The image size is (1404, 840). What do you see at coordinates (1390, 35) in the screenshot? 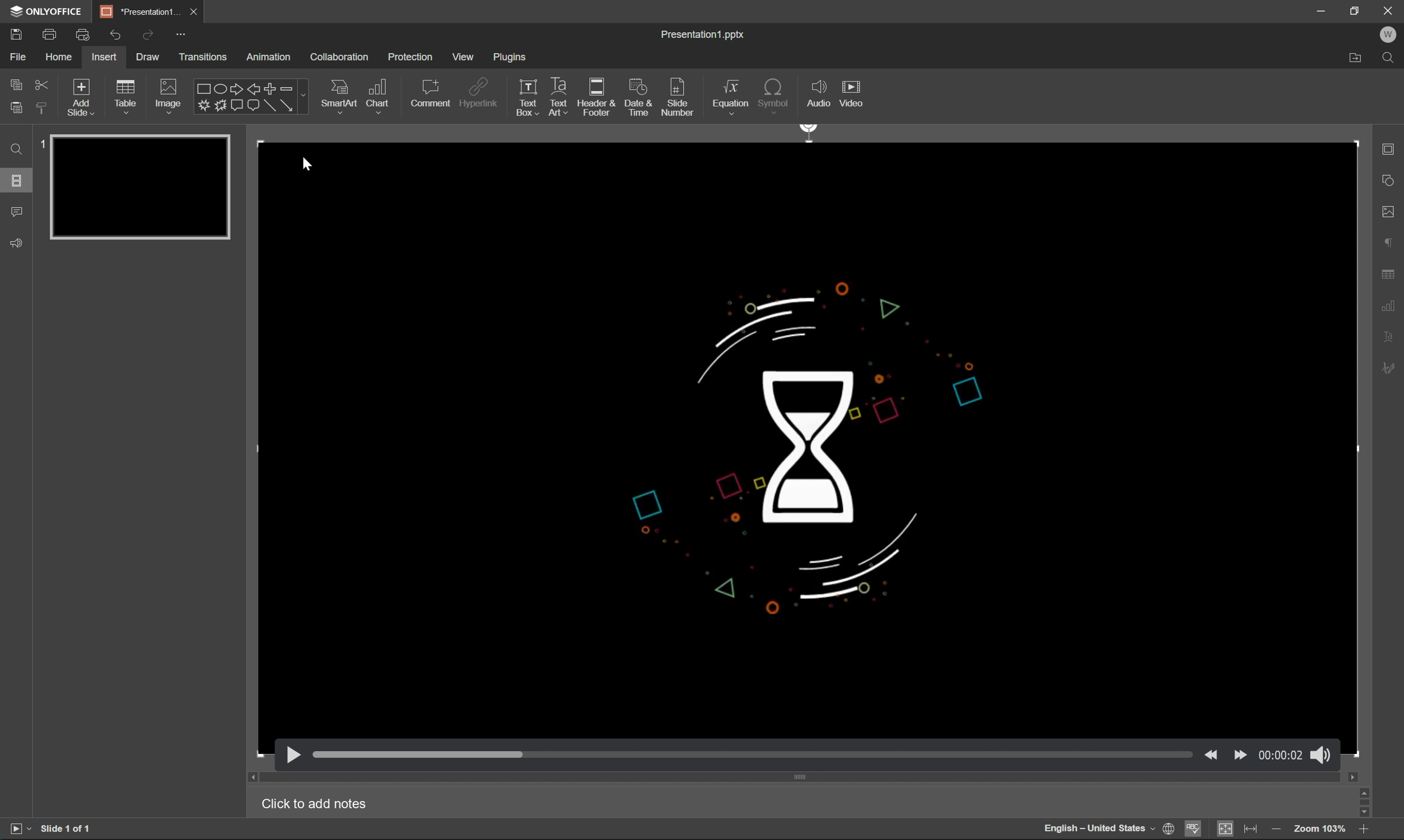
I see `W` at bounding box center [1390, 35].